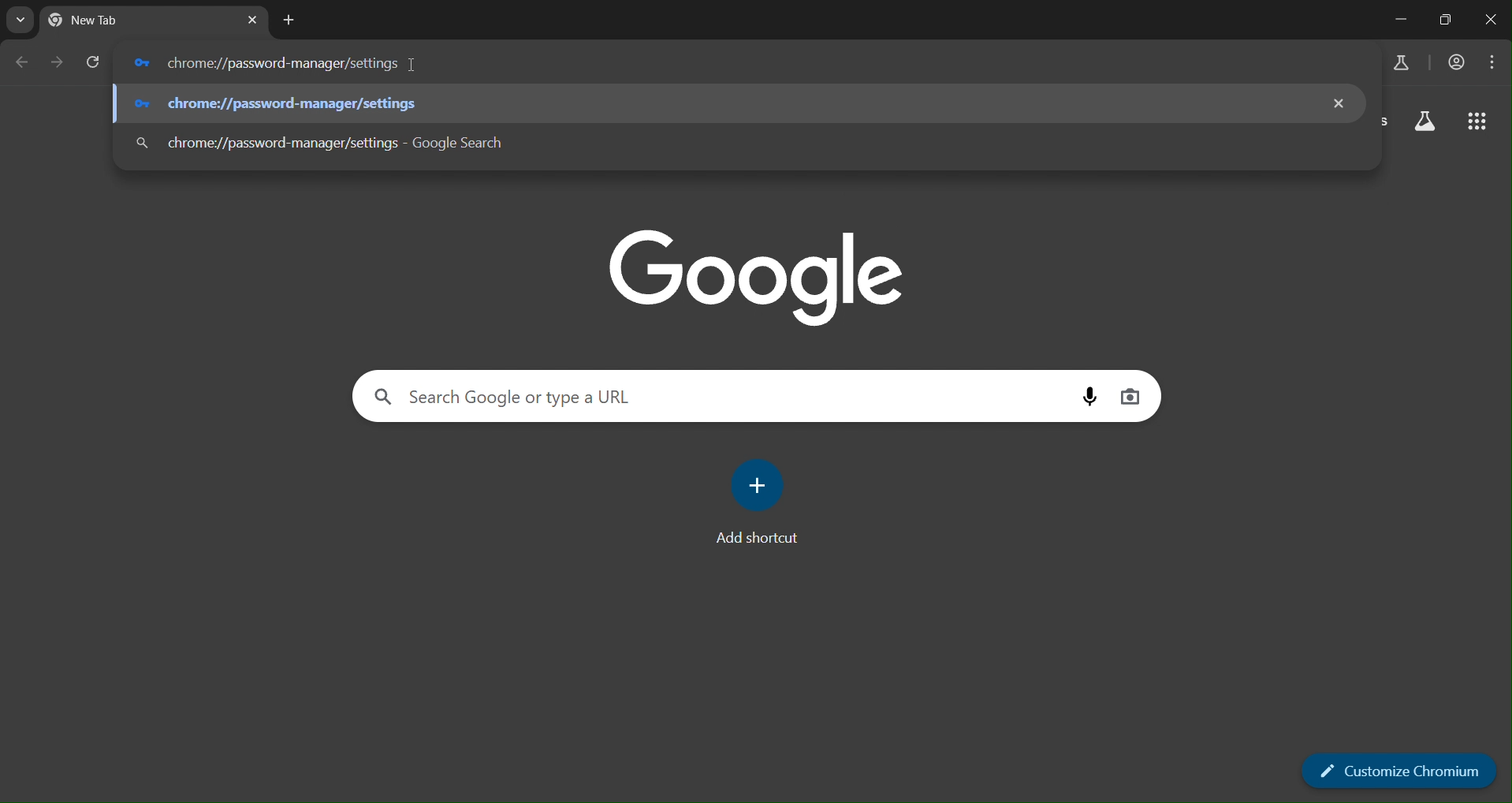 The image size is (1512, 803). I want to click on remove, so click(1343, 104).